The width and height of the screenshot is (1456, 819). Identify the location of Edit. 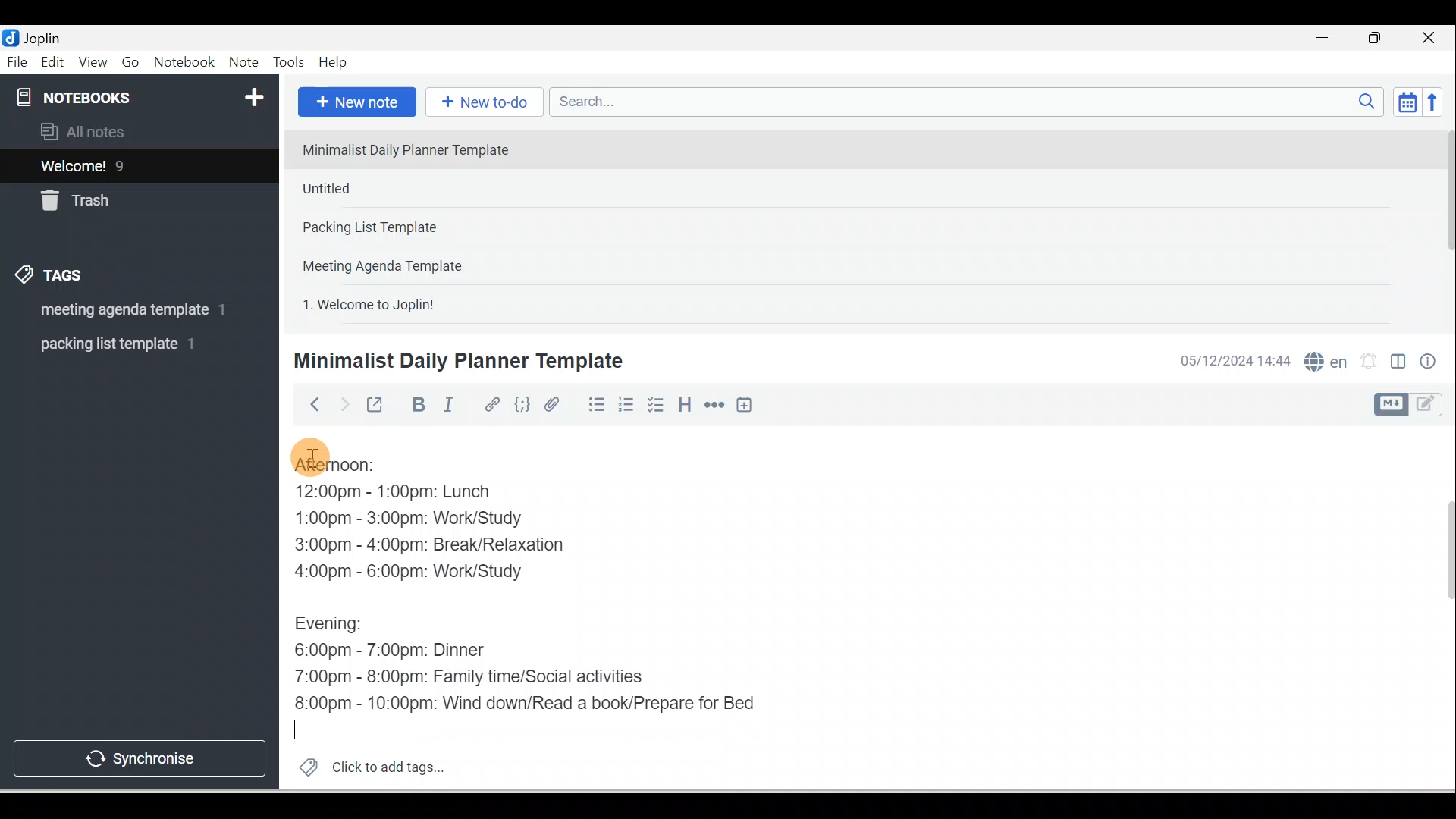
(54, 63).